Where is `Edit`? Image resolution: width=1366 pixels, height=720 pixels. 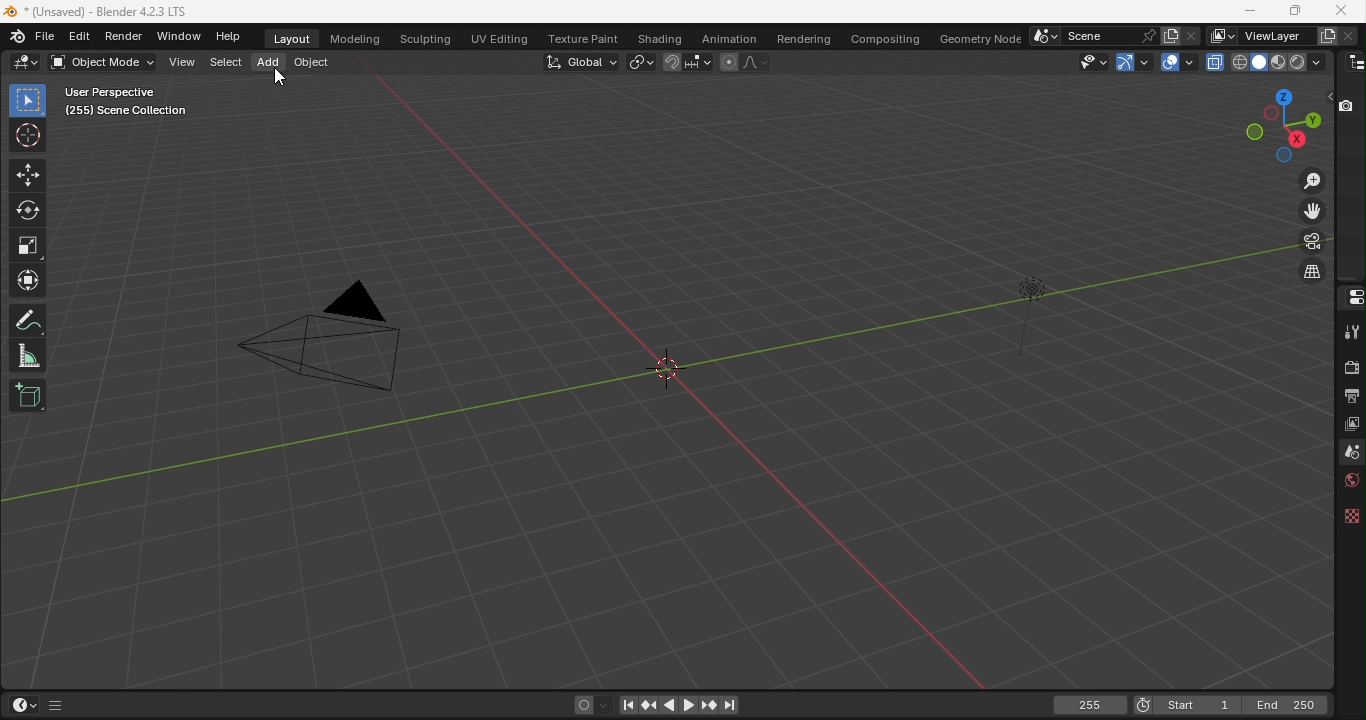 Edit is located at coordinates (82, 36).